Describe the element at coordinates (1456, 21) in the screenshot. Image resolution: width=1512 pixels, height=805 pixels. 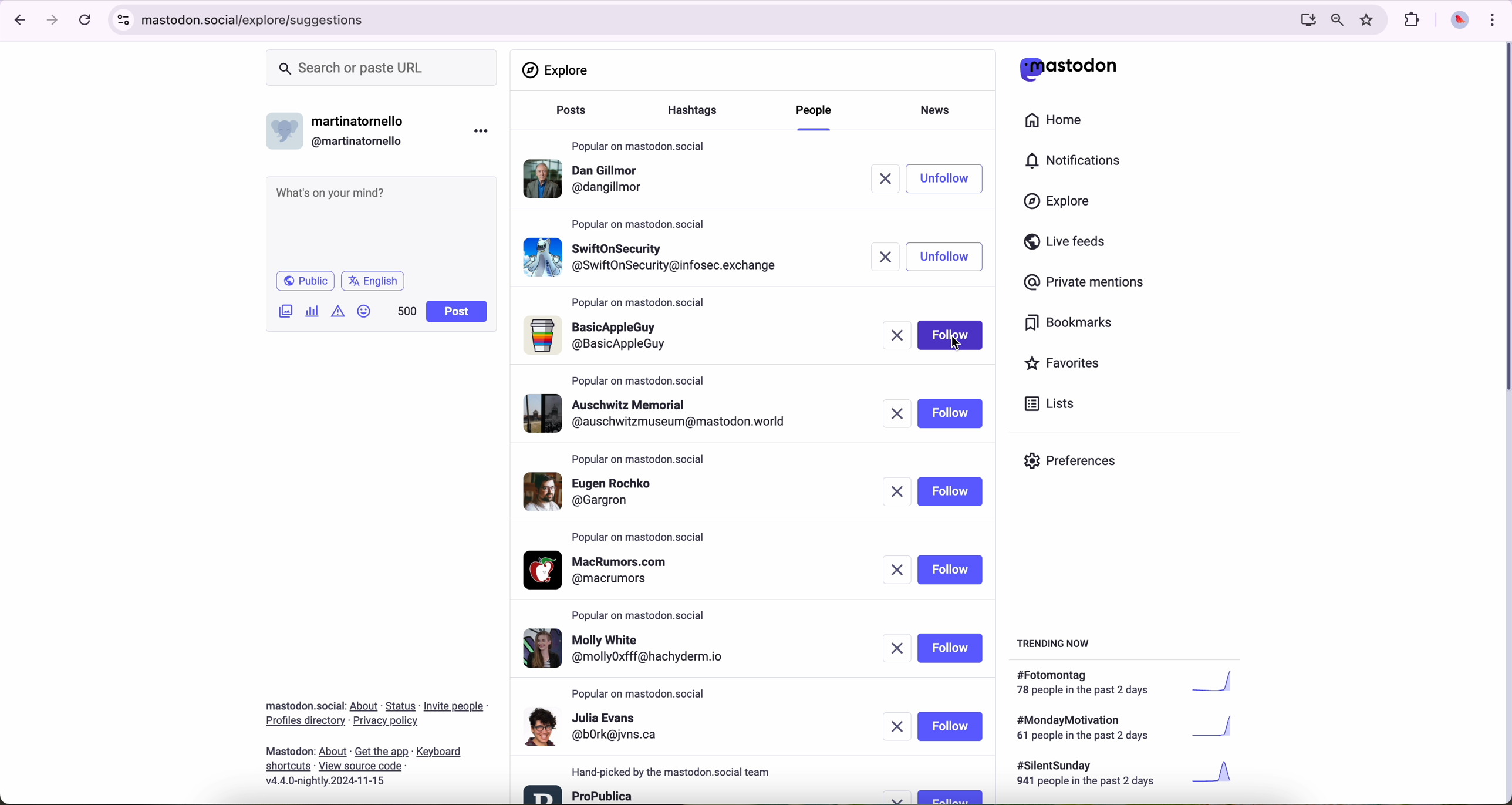
I see `profile picture` at that location.